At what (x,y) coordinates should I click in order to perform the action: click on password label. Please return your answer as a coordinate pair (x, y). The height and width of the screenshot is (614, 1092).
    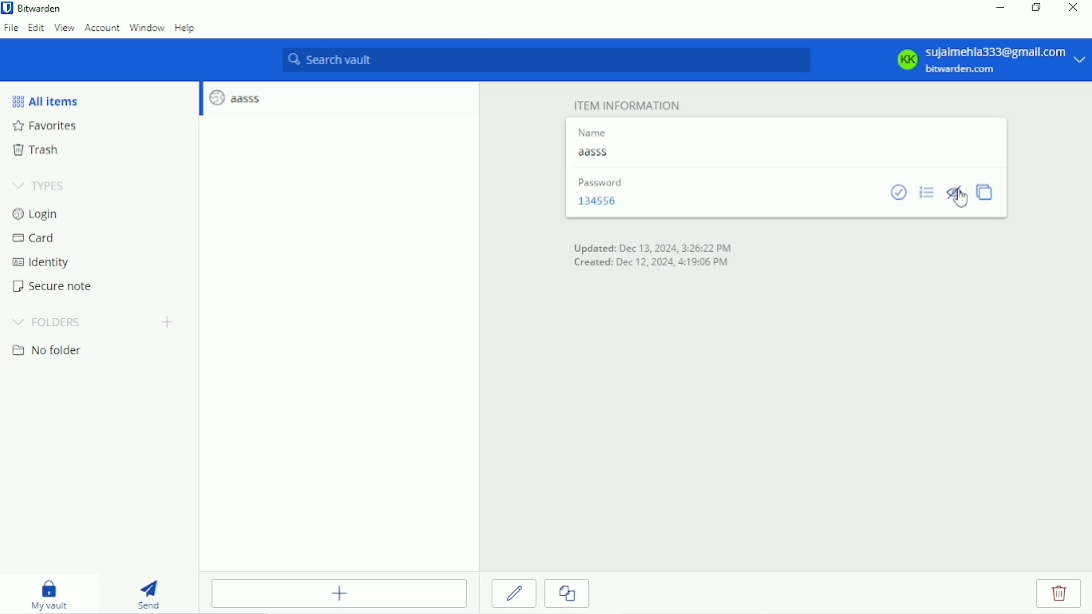
    Looking at the image, I should click on (598, 182).